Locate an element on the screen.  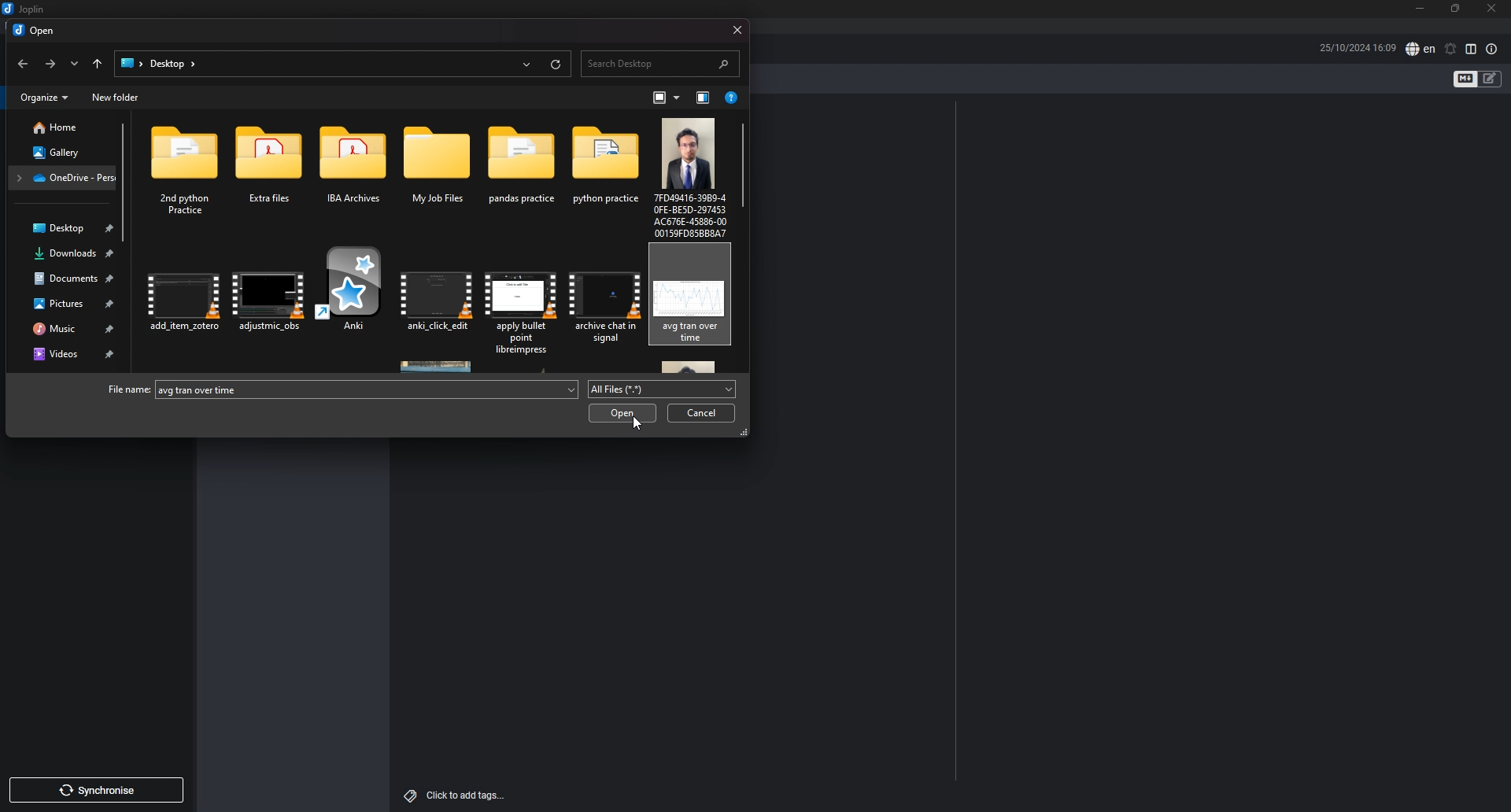
set alarm is located at coordinates (1451, 49).